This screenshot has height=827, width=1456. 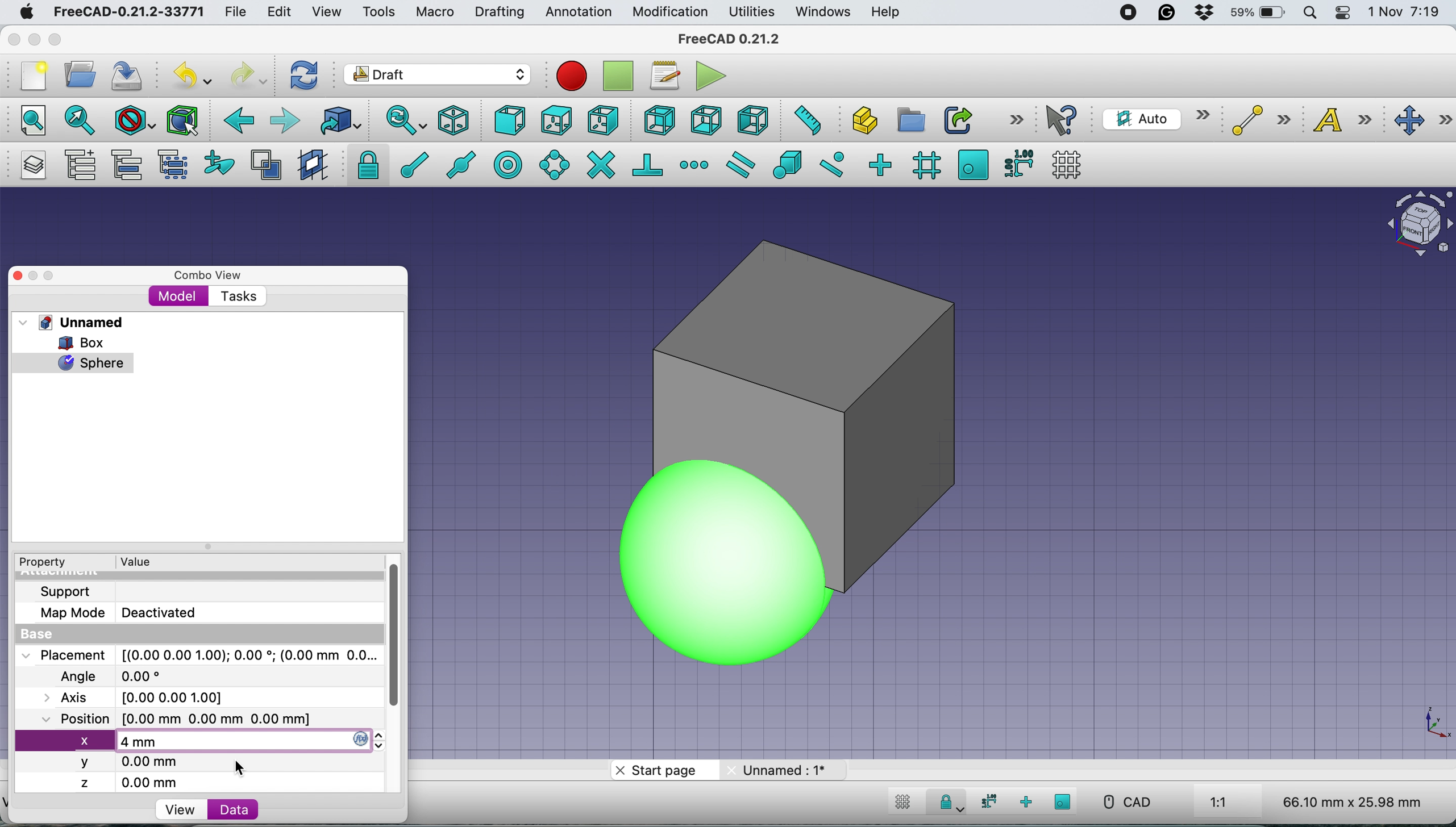 I want to click on grammarly, so click(x=1167, y=12).